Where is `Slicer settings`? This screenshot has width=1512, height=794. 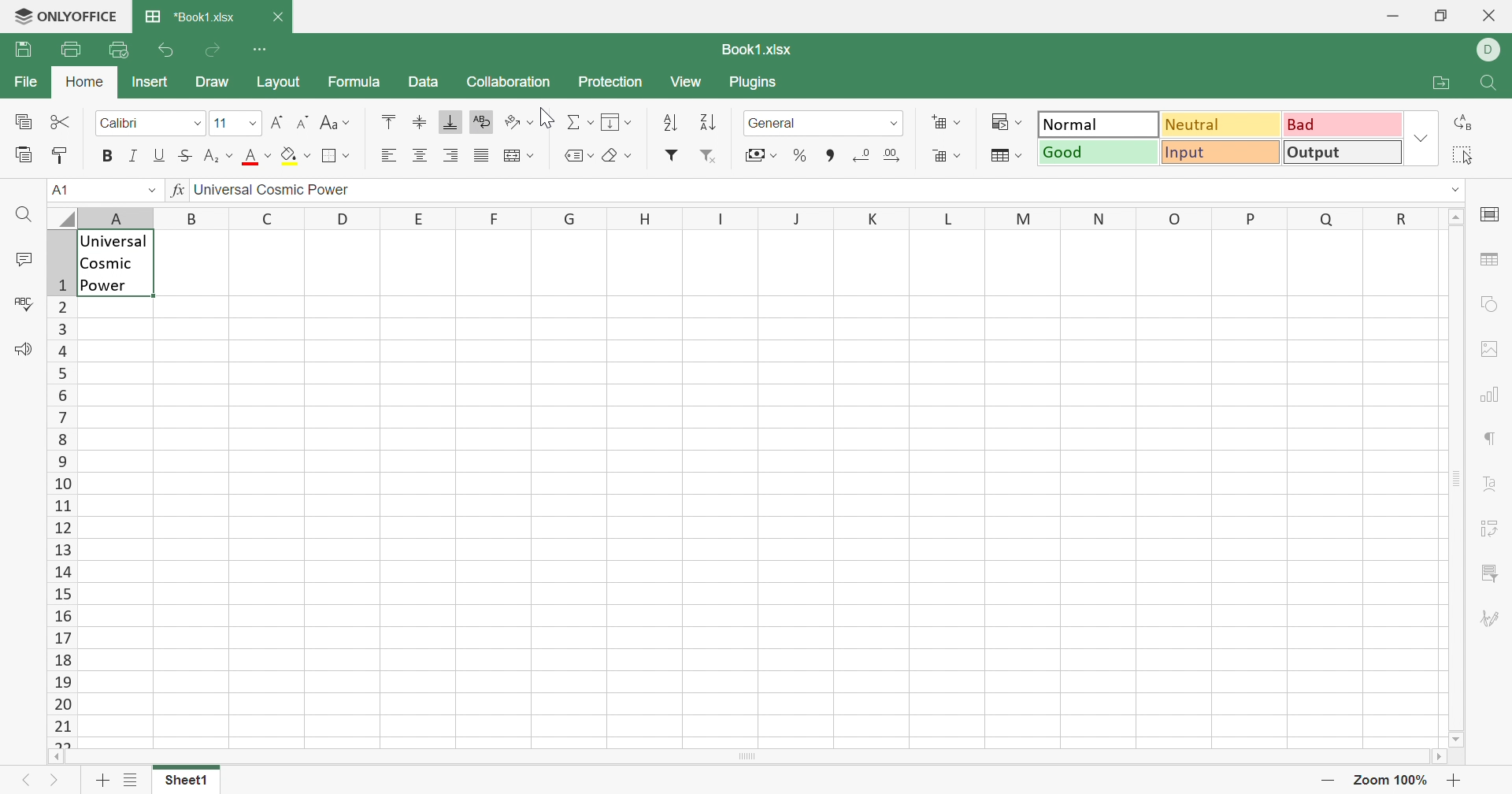 Slicer settings is located at coordinates (1490, 572).